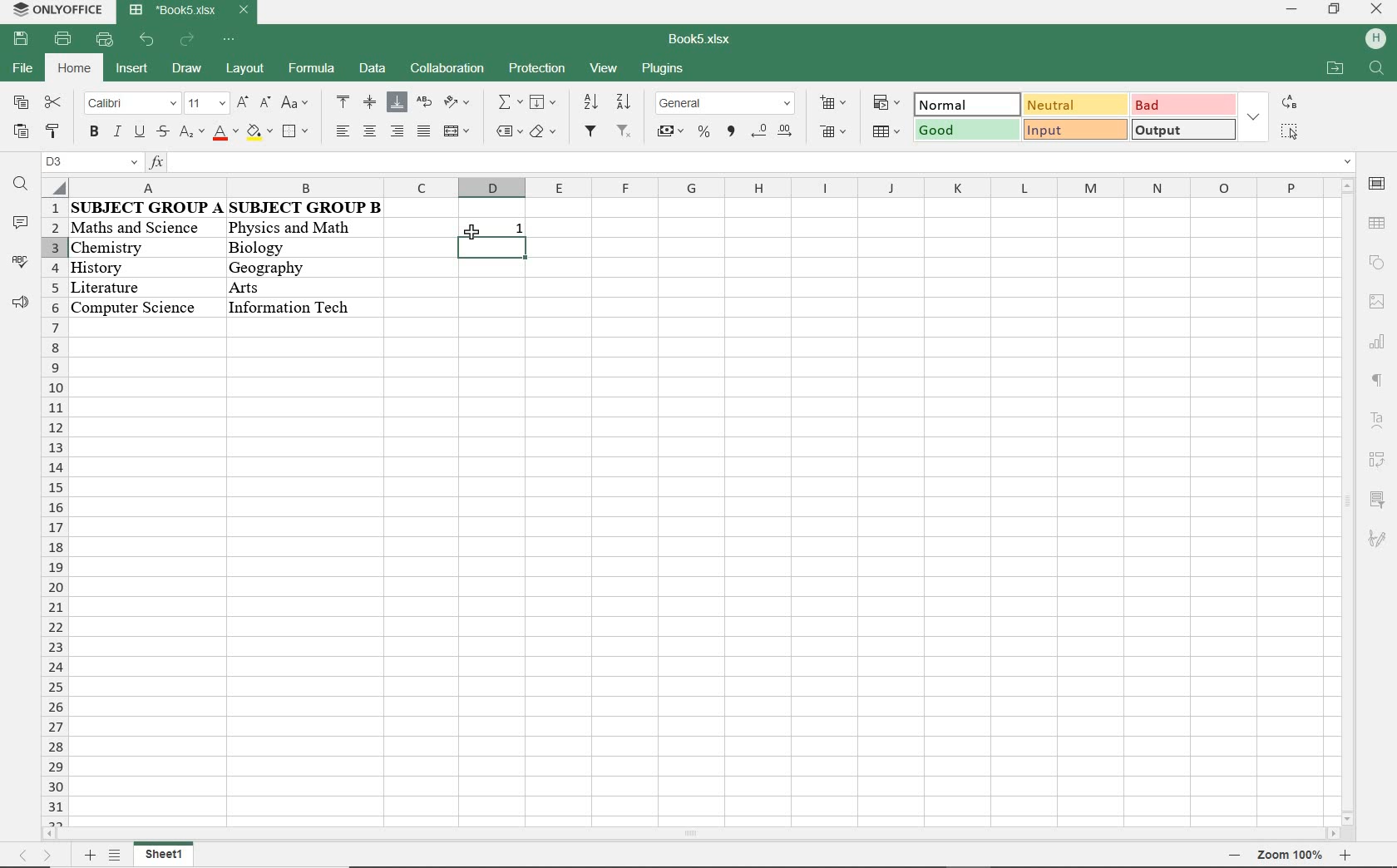 Image resolution: width=1397 pixels, height=868 pixels. What do you see at coordinates (889, 134) in the screenshot?
I see `format as table template` at bounding box center [889, 134].